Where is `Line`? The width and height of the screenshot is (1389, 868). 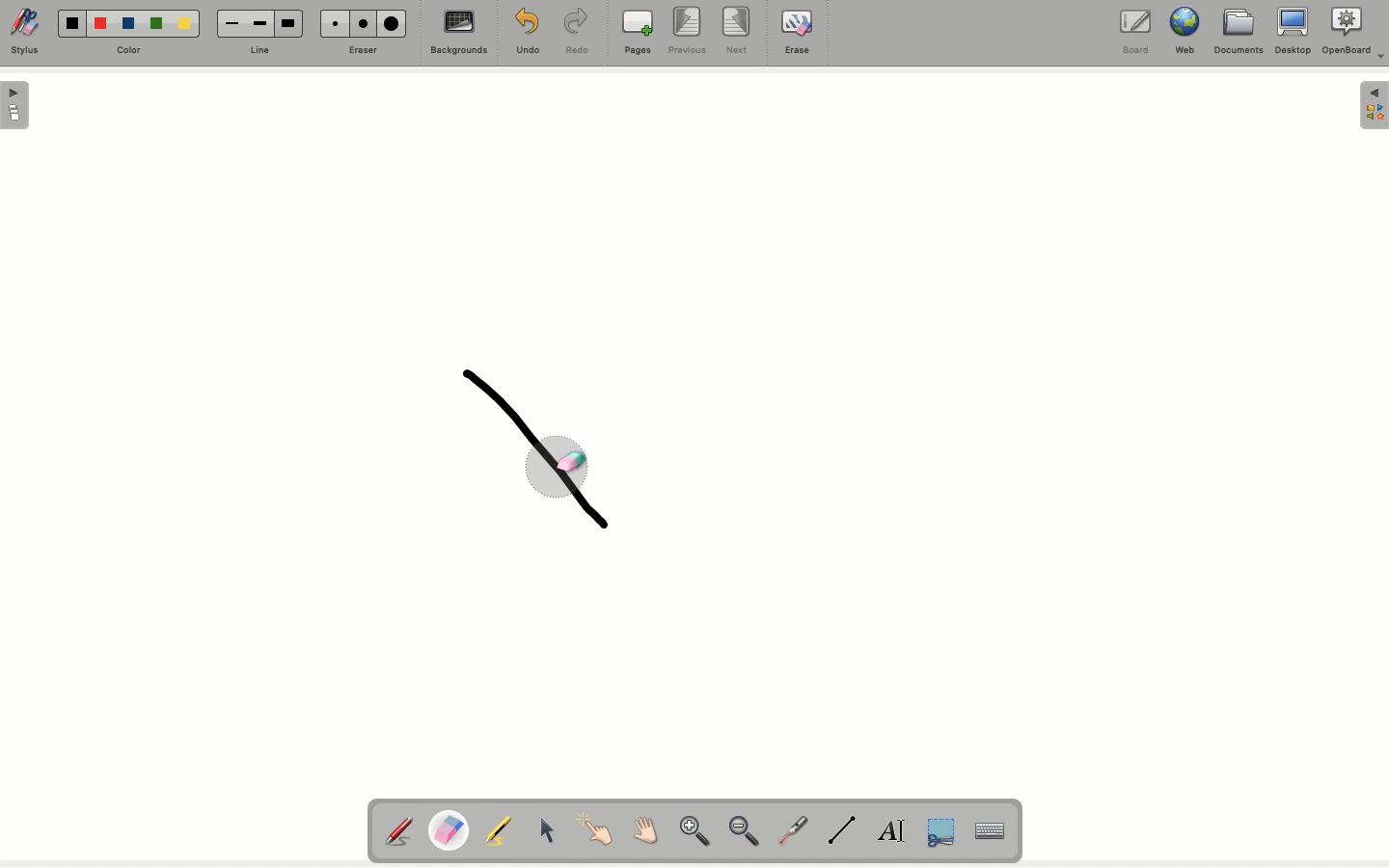 Line is located at coordinates (844, 831).